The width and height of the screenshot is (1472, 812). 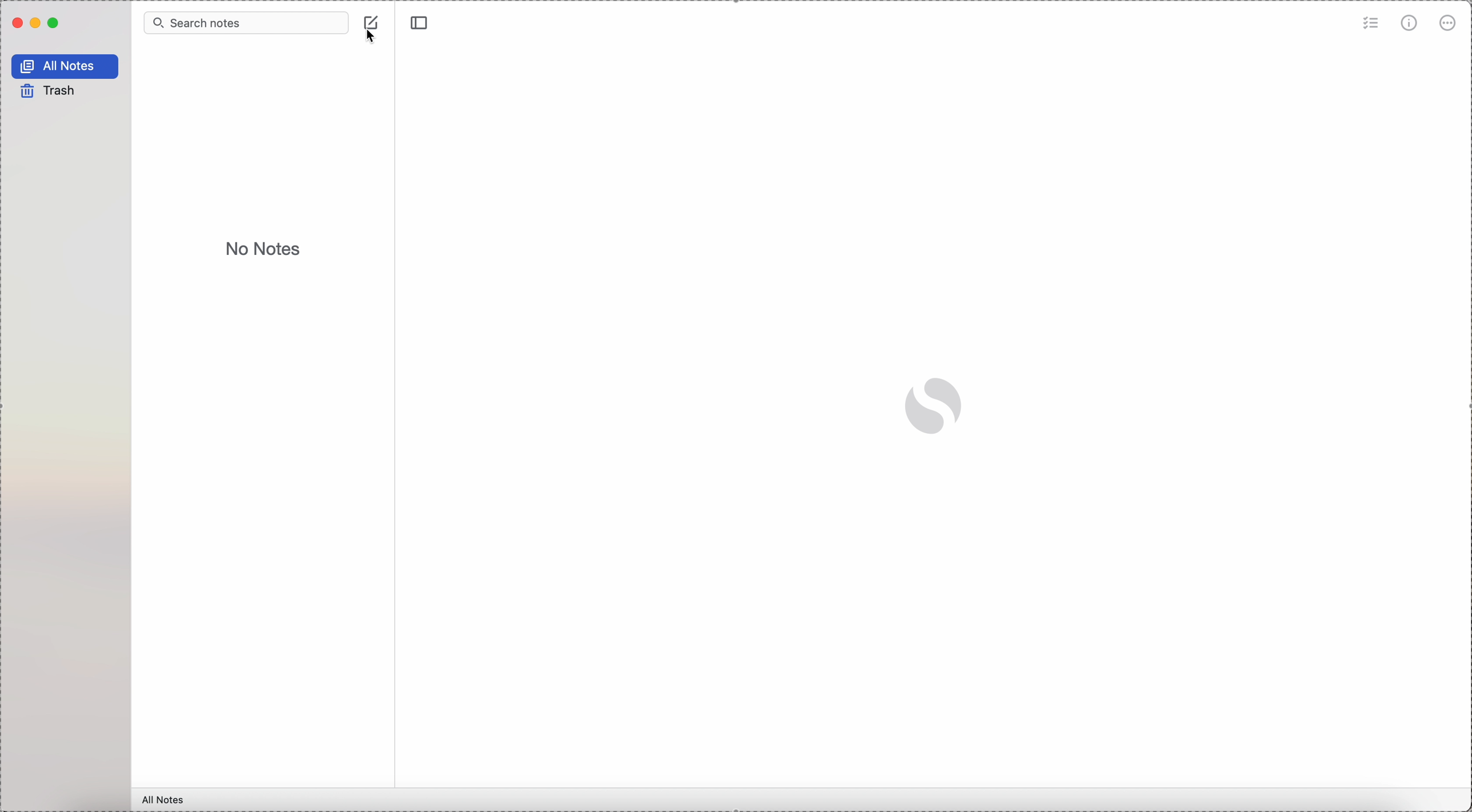 I want to click on toggle sidebar, so click(x=419, y=23).